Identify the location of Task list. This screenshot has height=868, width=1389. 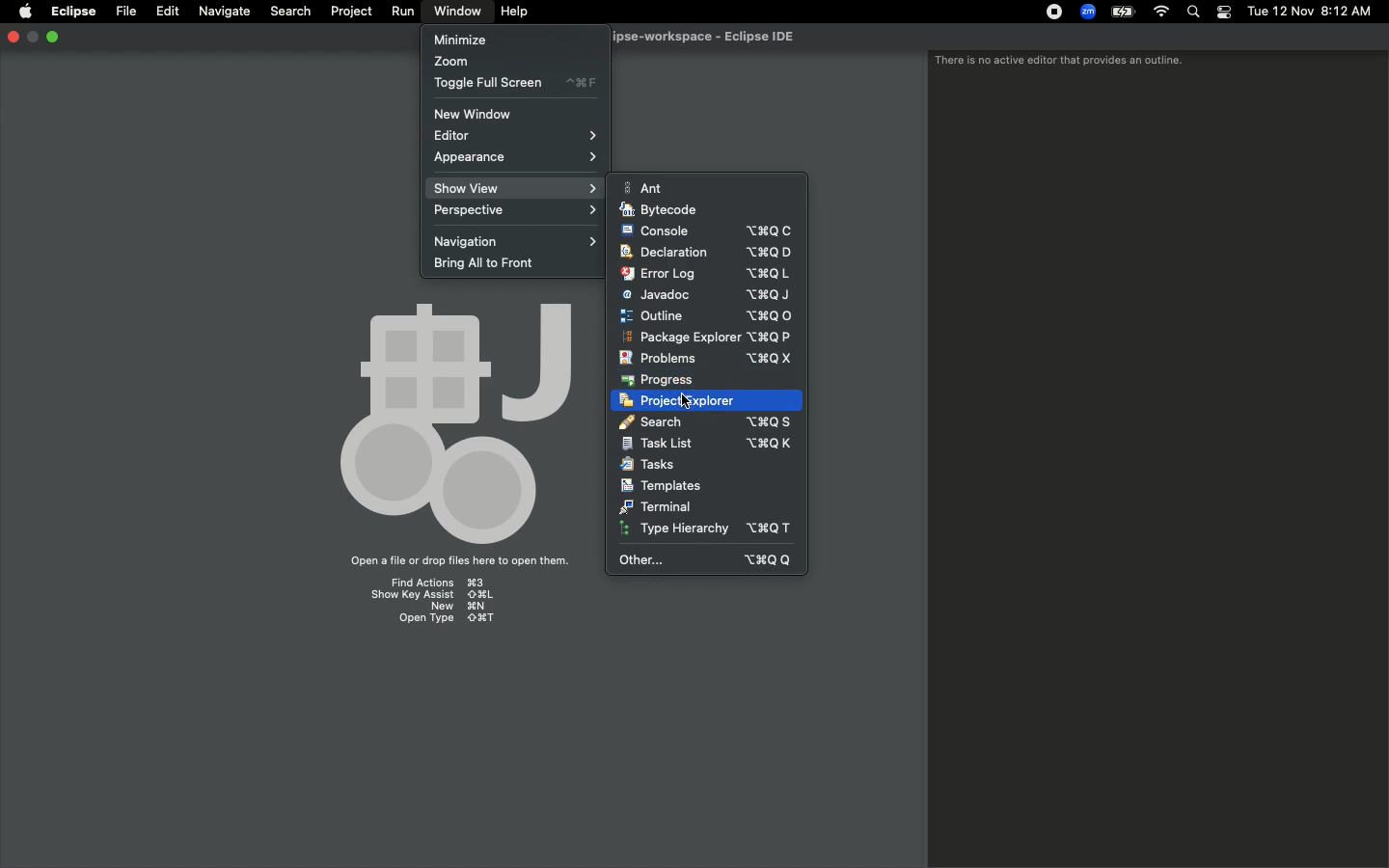
(708, 443).